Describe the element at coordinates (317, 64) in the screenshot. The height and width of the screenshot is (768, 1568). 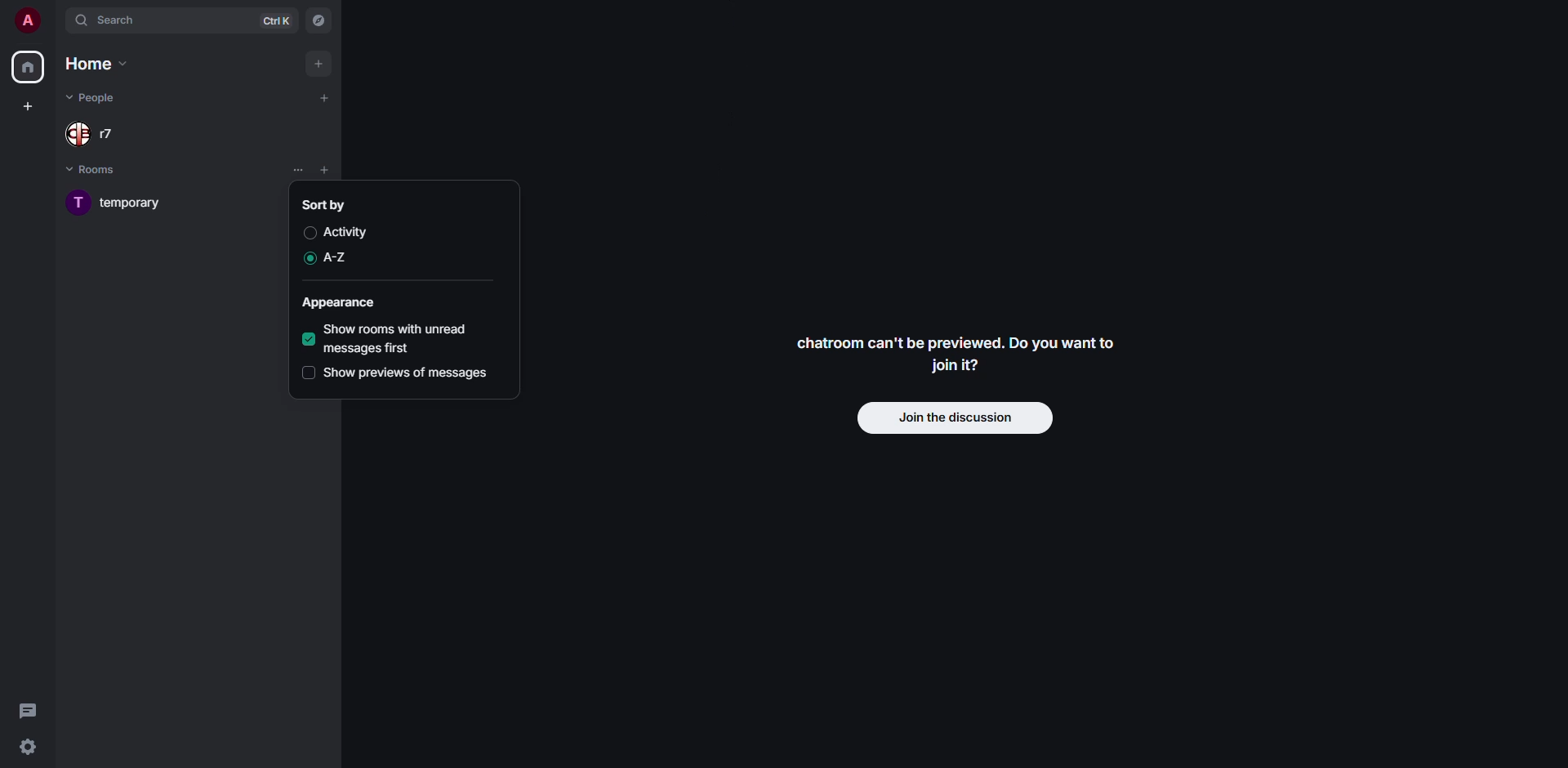
I see `add` at that location.